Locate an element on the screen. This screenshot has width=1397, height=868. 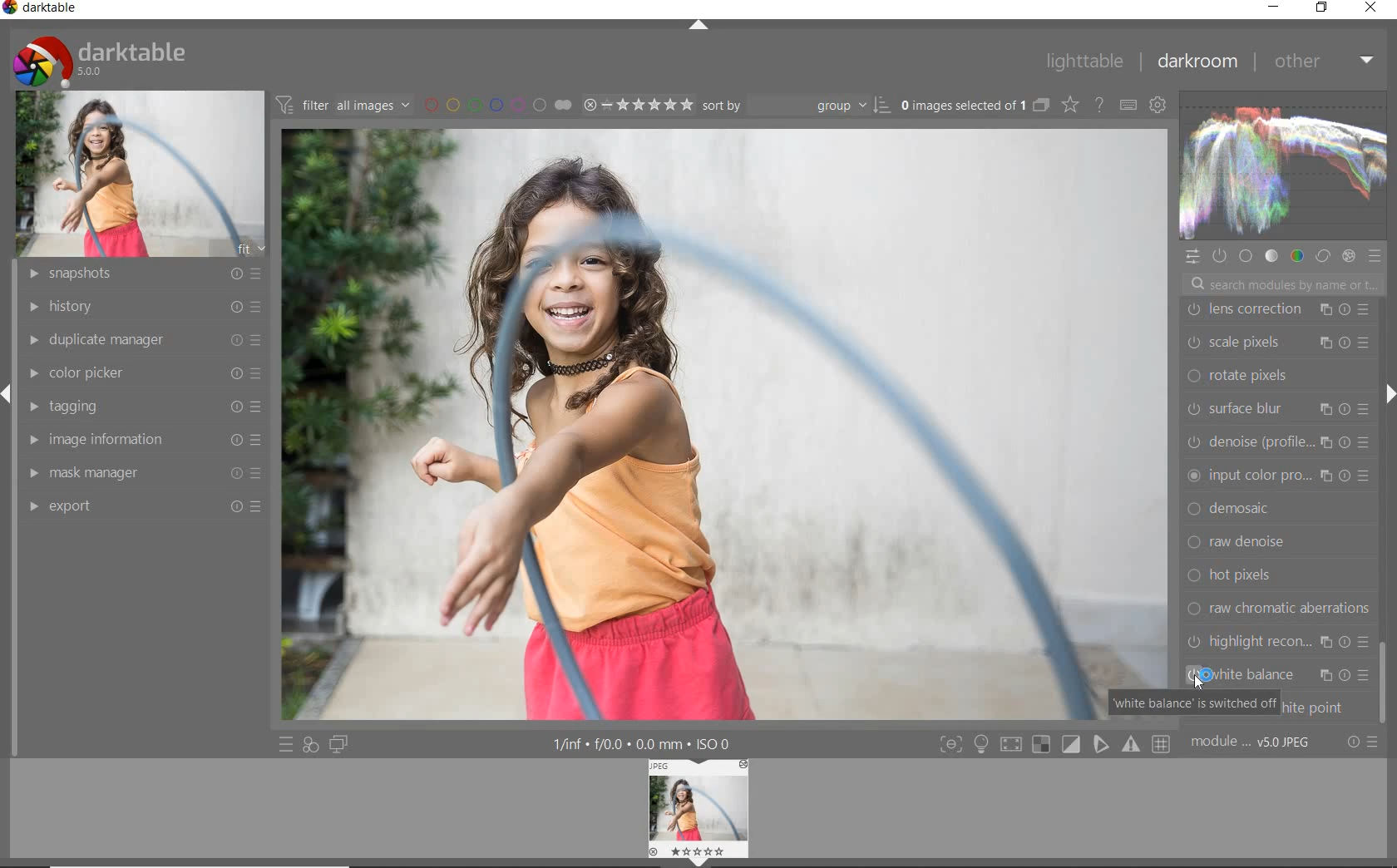
change type for overlay is located at coordinates (1071, 105).